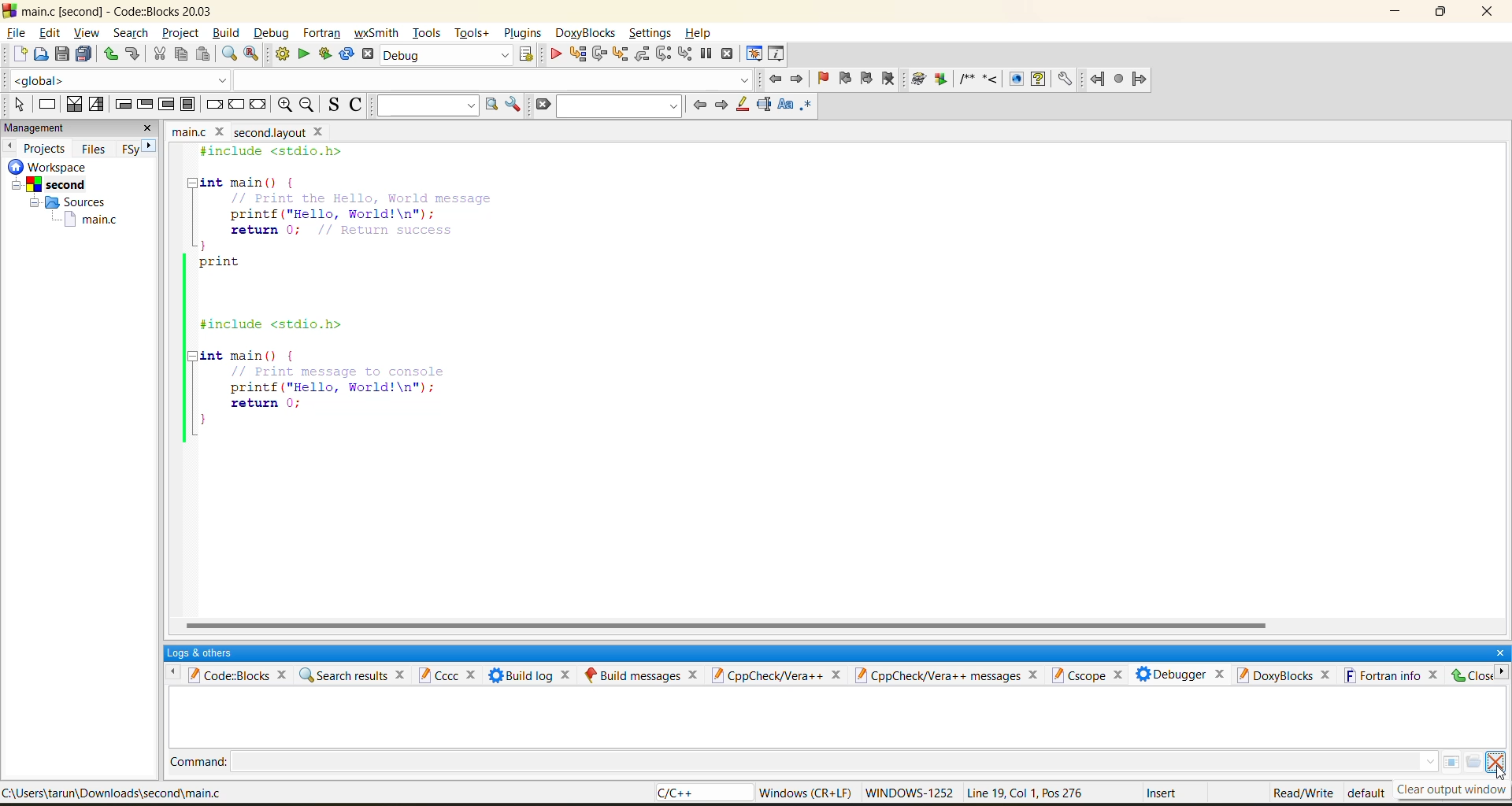  Describe the element at coordinates (1433, 764) in the screenshot. I see `drop down` at that location.